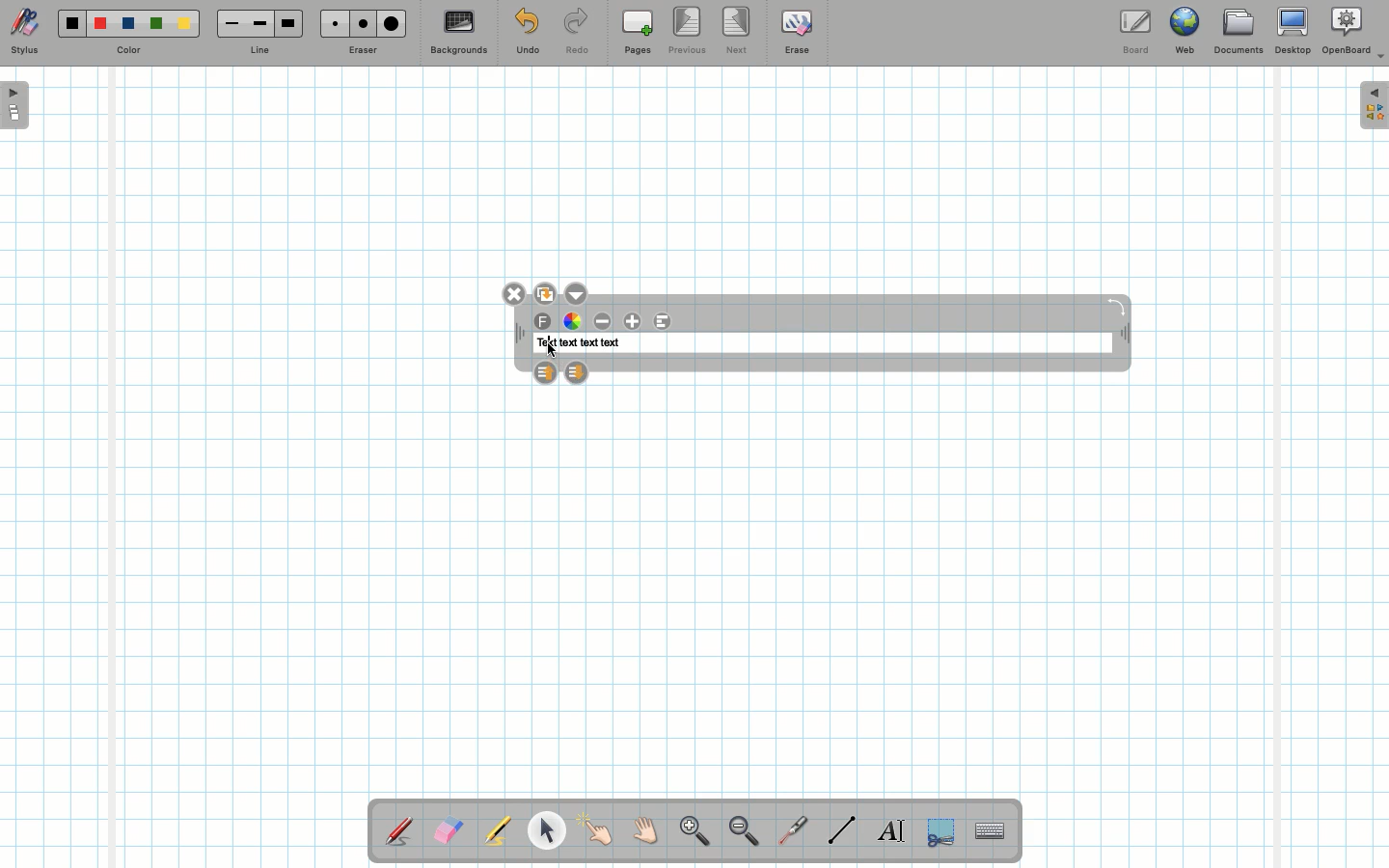 The width and height of the screenshot is (1389, 868). What do you see at coordinates (360, 23) in the screenshot?
I see `Medium eraser` at bounding box center [360, 23].